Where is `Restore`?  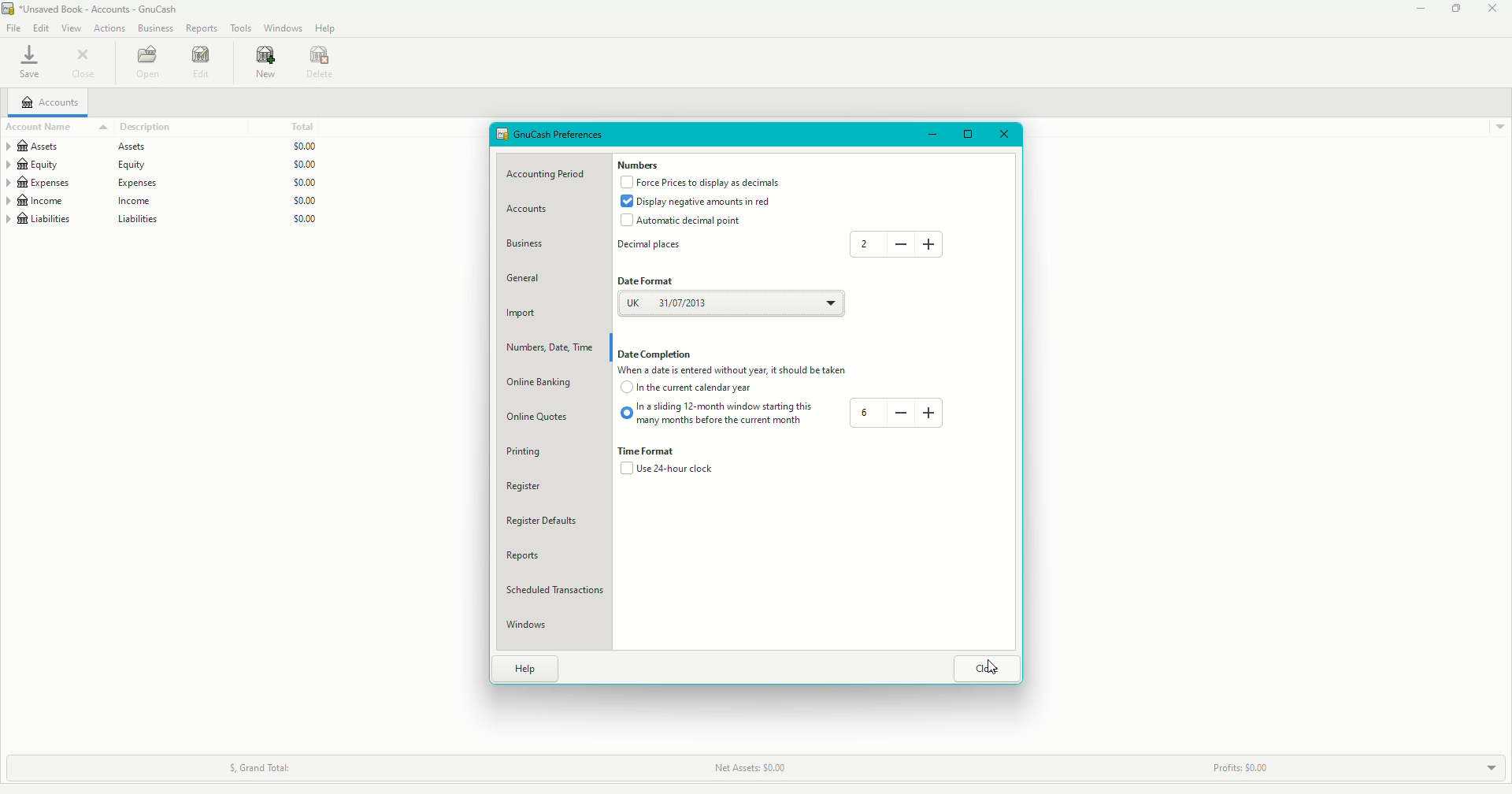 Restore is located at coordinates (968, 132).